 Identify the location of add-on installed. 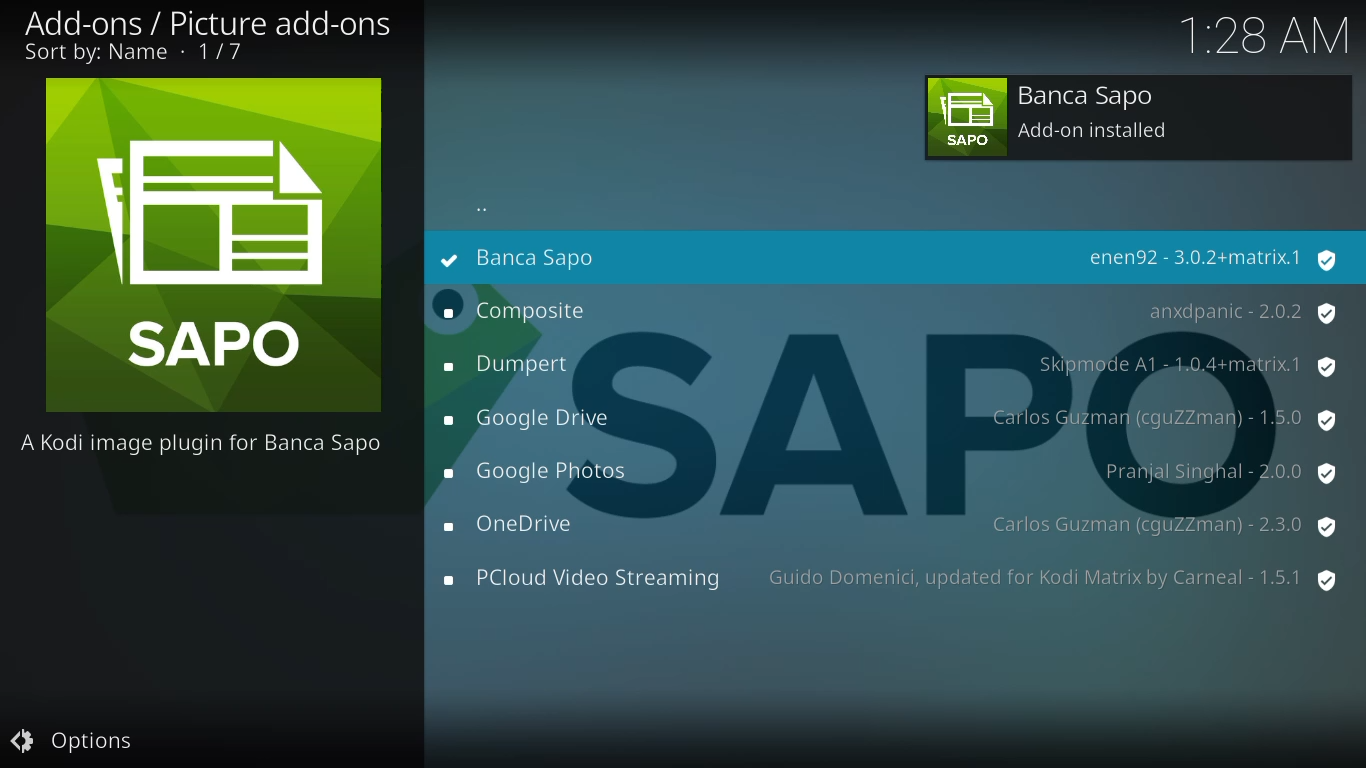
(1138, 118).